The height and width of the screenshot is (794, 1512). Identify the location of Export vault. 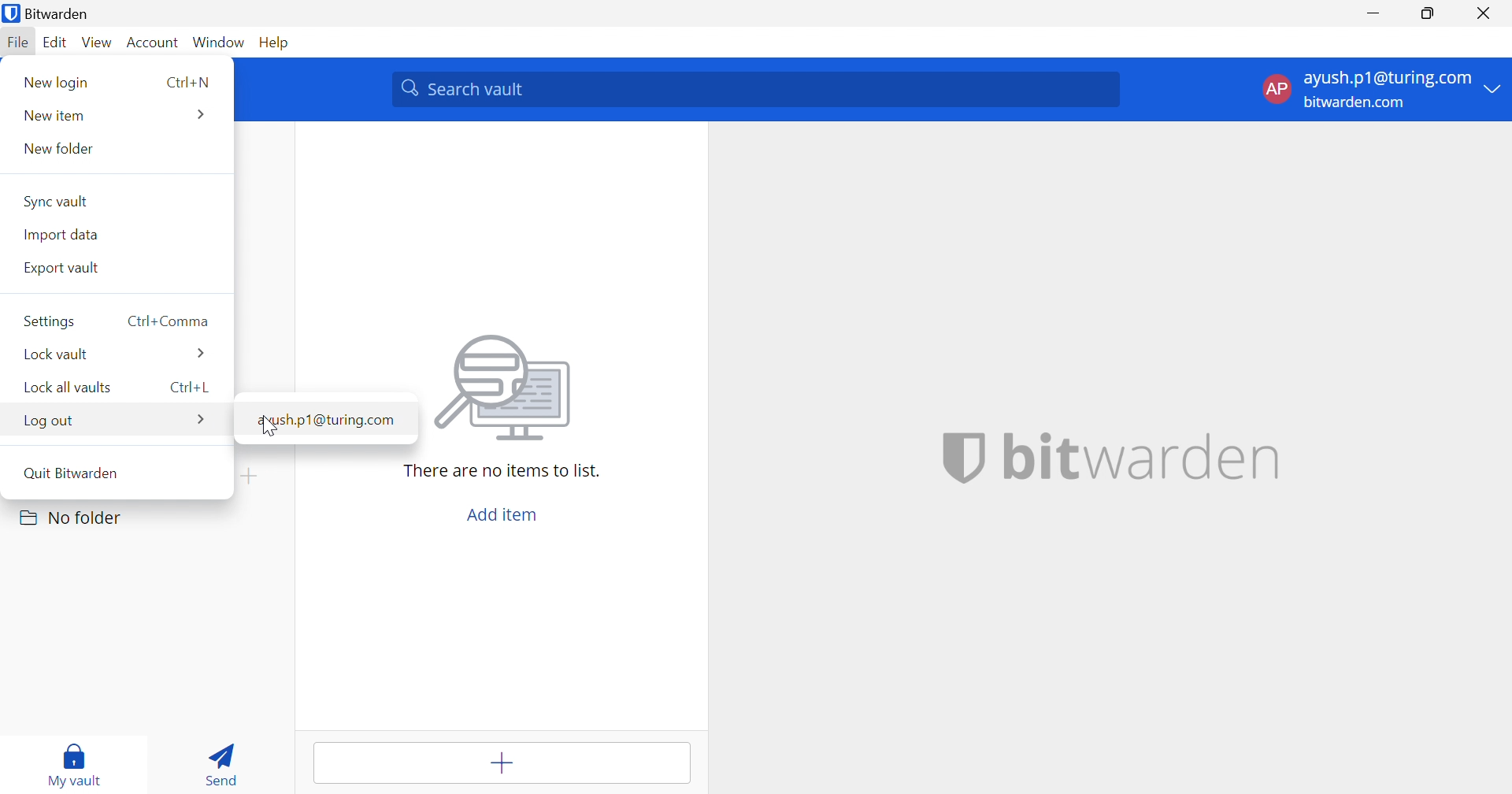
(63, 268).